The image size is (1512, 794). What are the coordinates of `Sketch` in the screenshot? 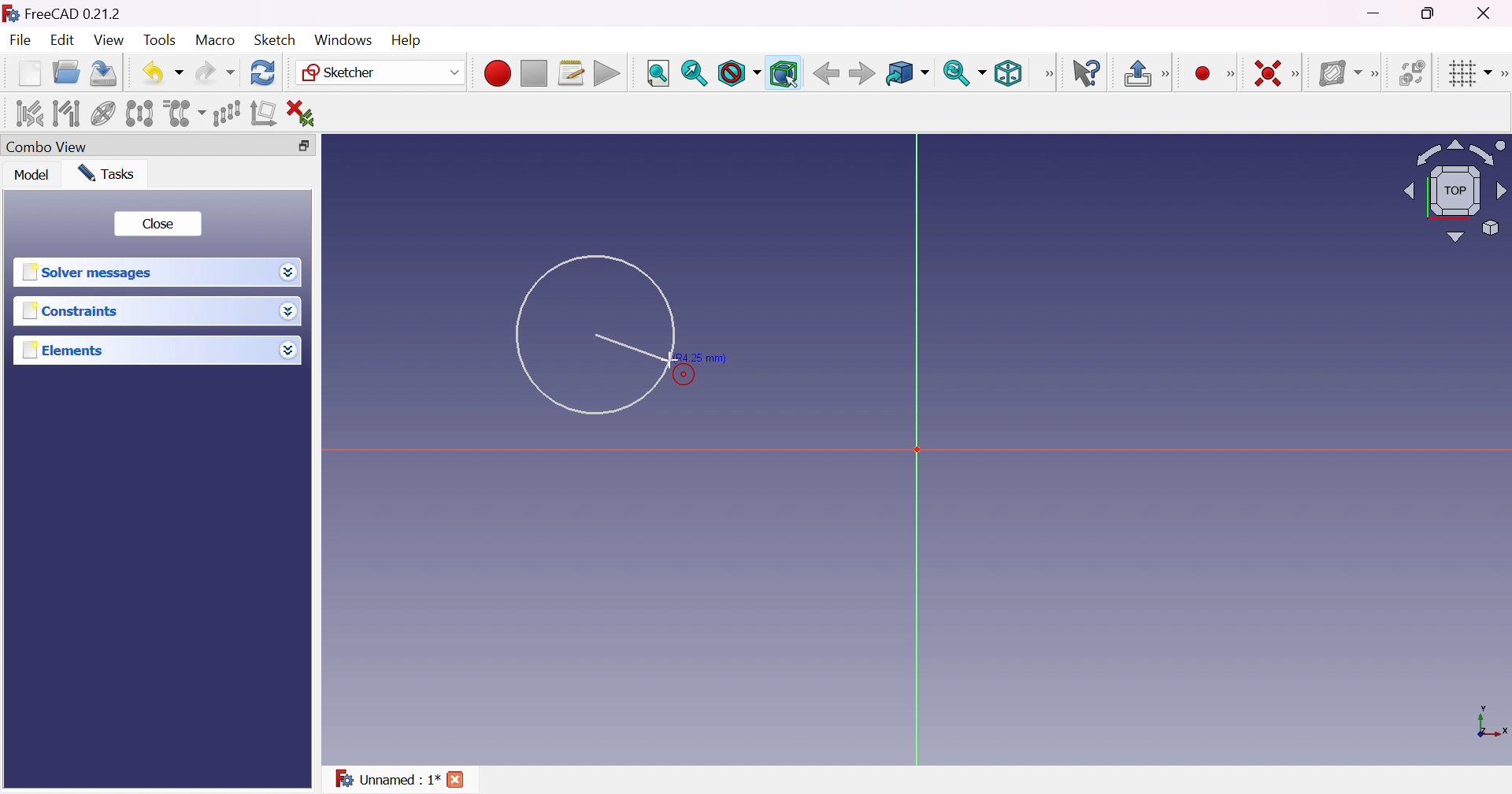 It's located at (276, 39).